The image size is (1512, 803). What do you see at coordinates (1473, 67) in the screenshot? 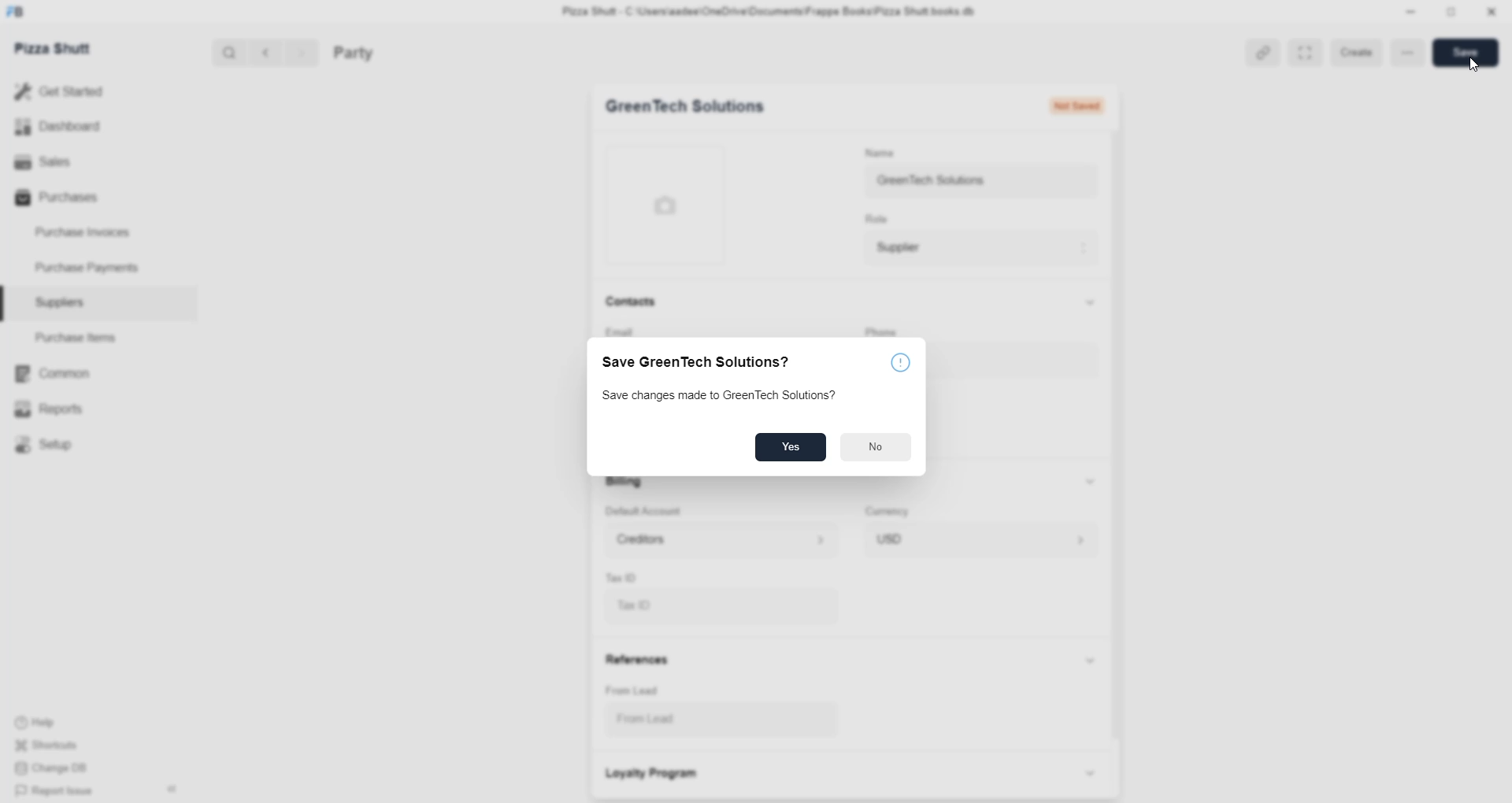
I see `cursor` at bounding box center [1473, 67].